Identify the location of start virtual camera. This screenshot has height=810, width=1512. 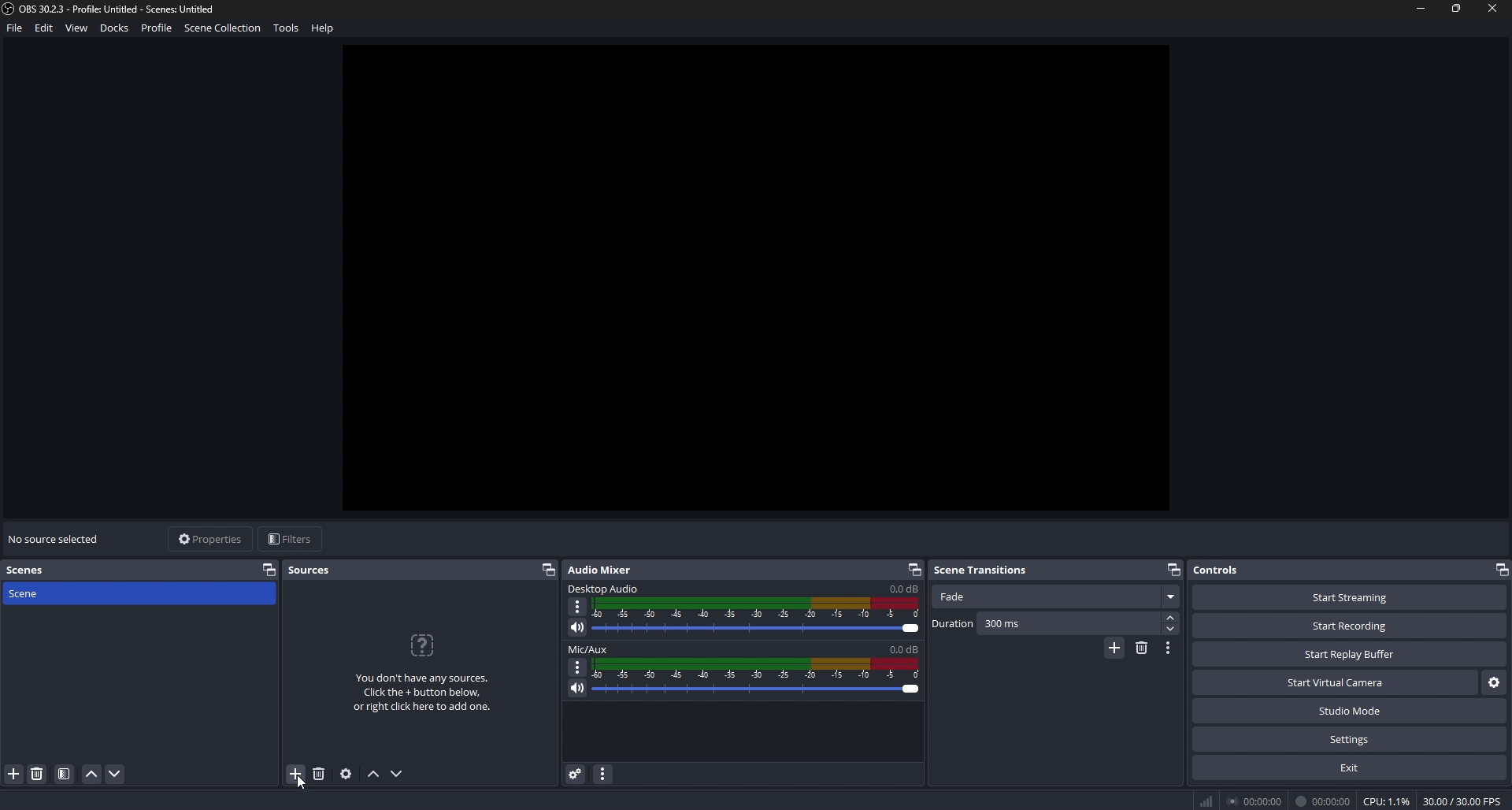
(1334, 683).